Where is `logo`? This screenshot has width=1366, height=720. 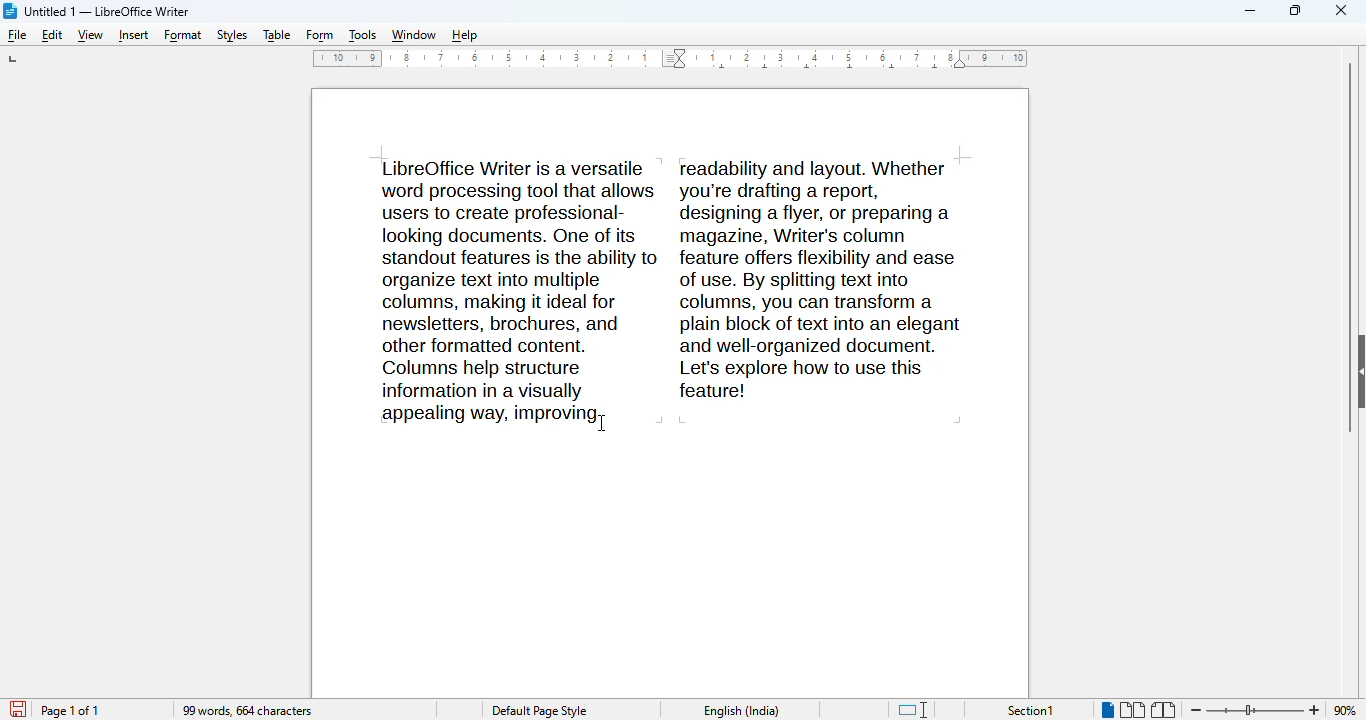 logo is located at coordinates (10, 11).